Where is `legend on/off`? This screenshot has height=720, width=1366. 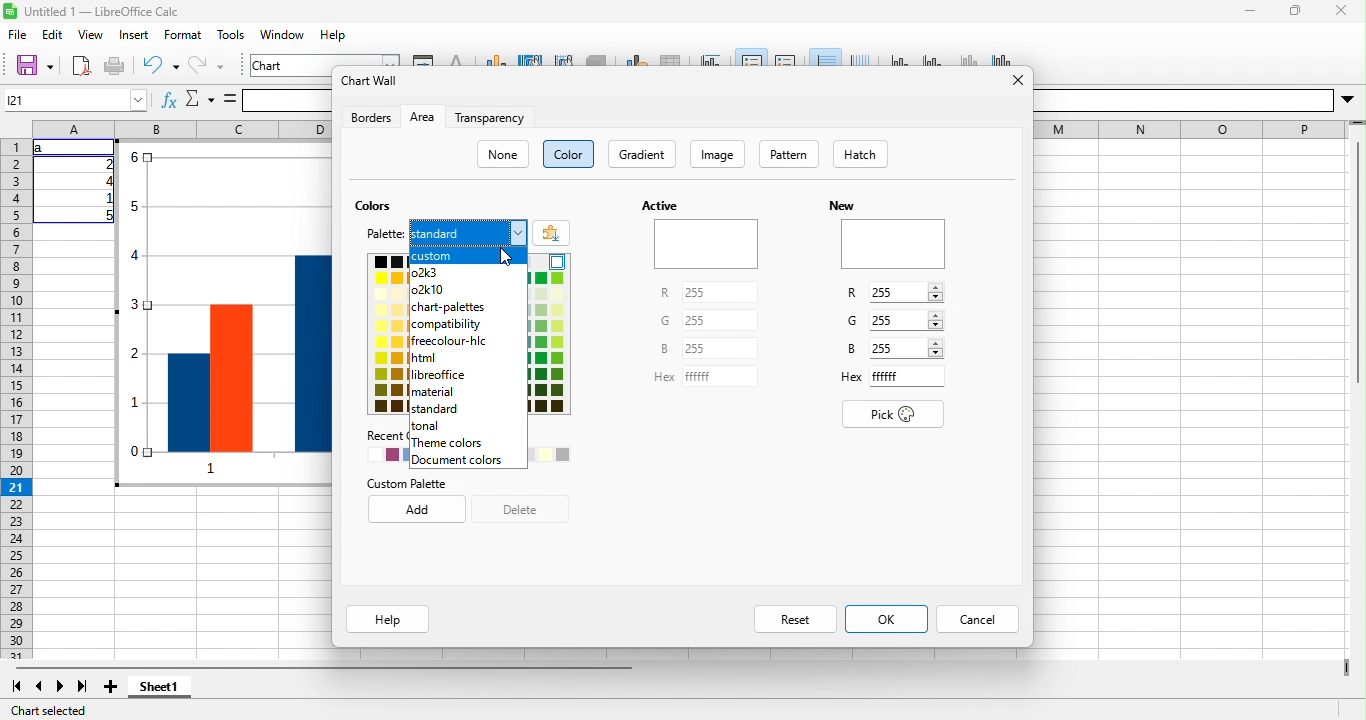
legend on/off is located at coordinates (752, 57).